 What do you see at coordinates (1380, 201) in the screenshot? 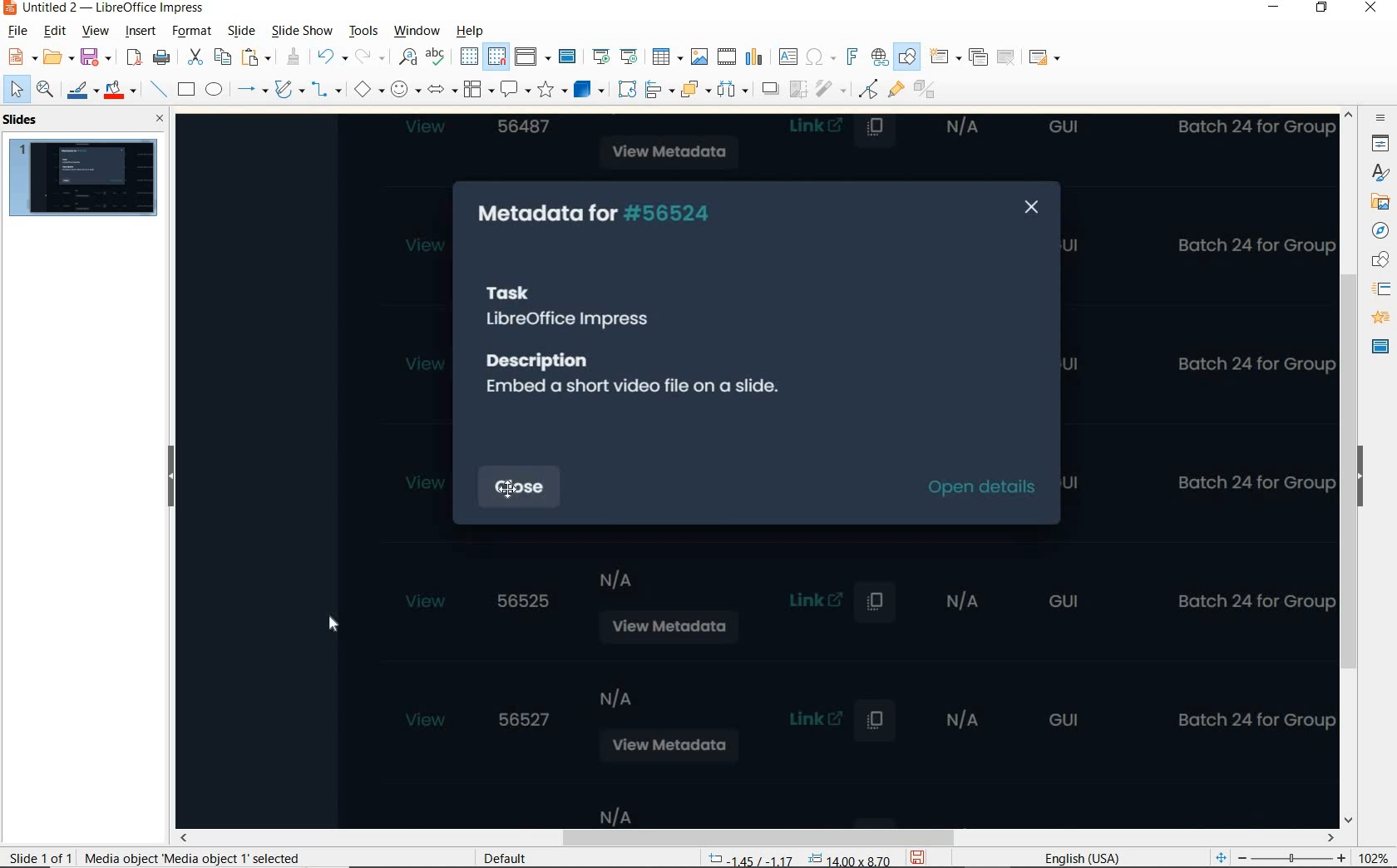
I see `images` at bounding box center [1380, 201].